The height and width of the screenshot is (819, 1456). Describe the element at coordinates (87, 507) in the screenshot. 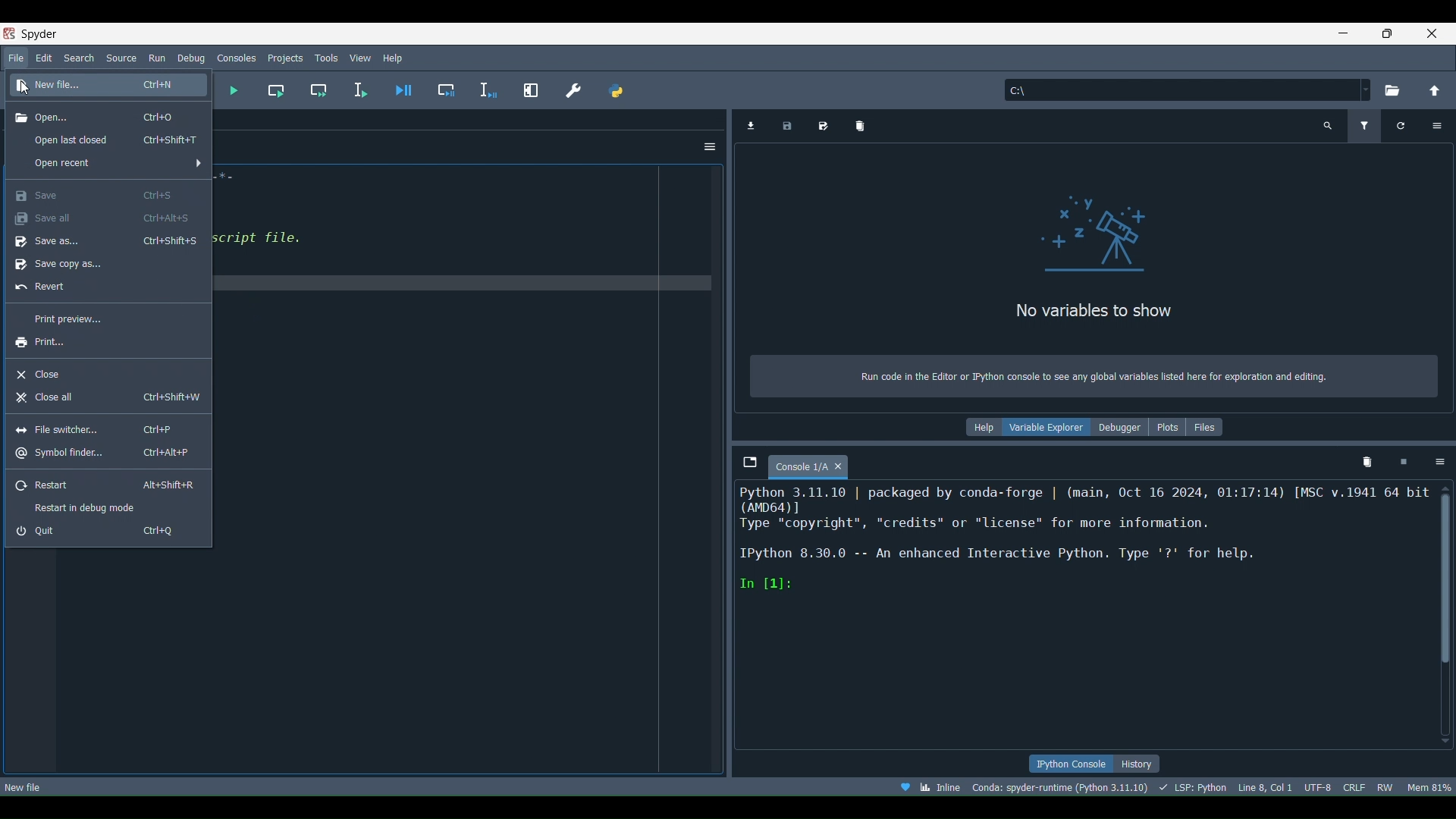

I see `Restart in debug` at that location.